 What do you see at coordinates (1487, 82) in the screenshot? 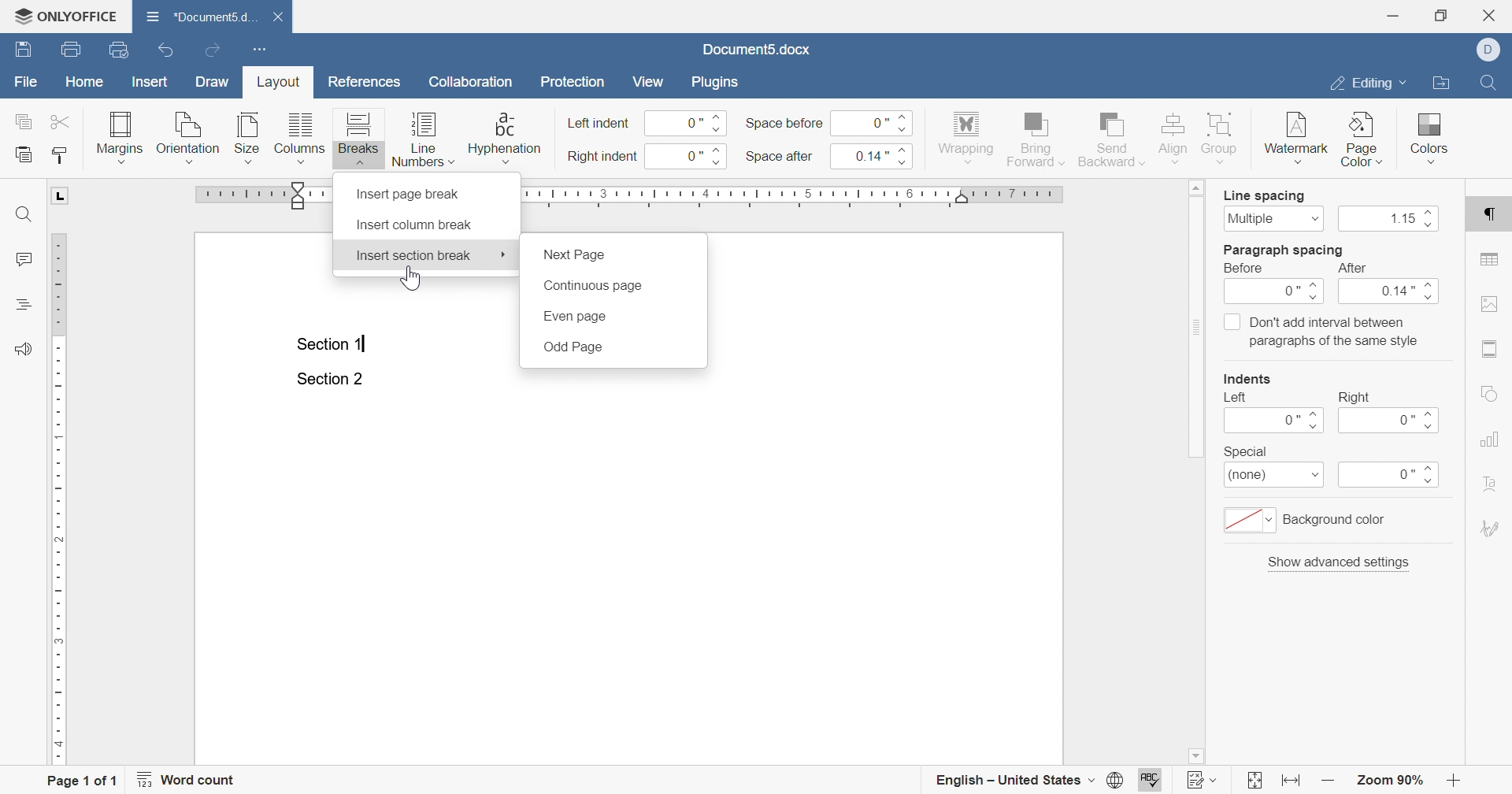
I see `Find` at bounding box center [1487, 82].